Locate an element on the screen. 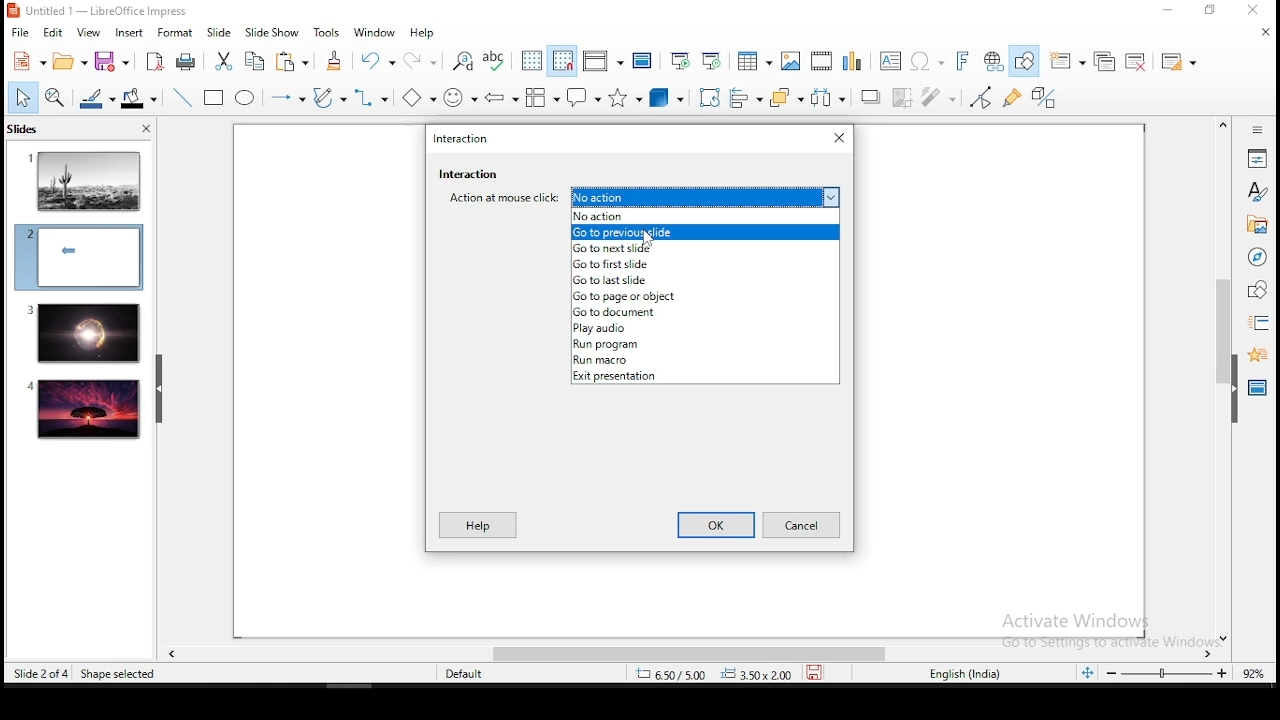 The width and height of the screenshot is (1280, 720). print is located at coordinates (187, 61).